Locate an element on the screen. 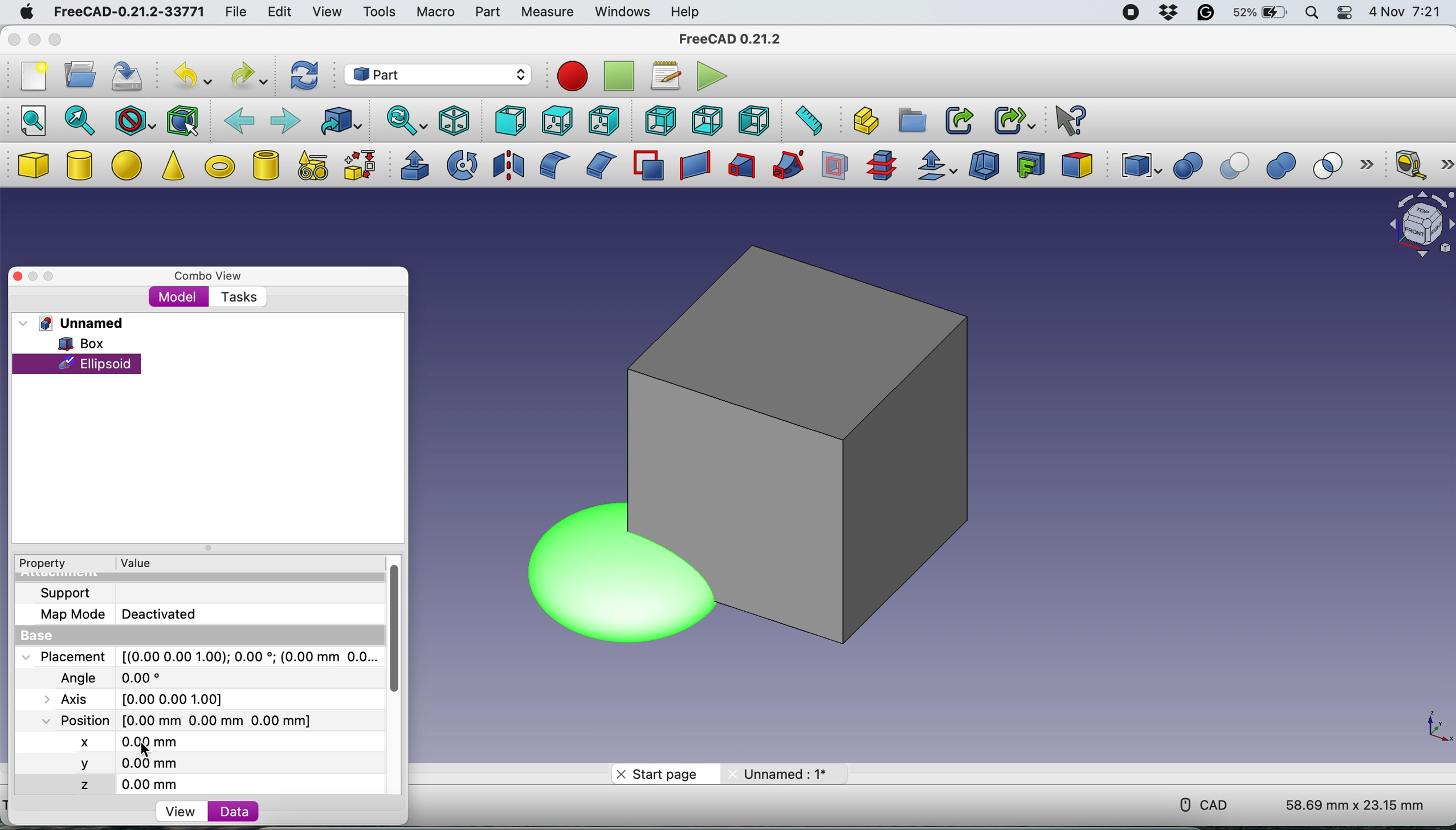 The width and height of the screenshot is (1456, 830). x 0.00 mm is located at coordinates (129, 741).